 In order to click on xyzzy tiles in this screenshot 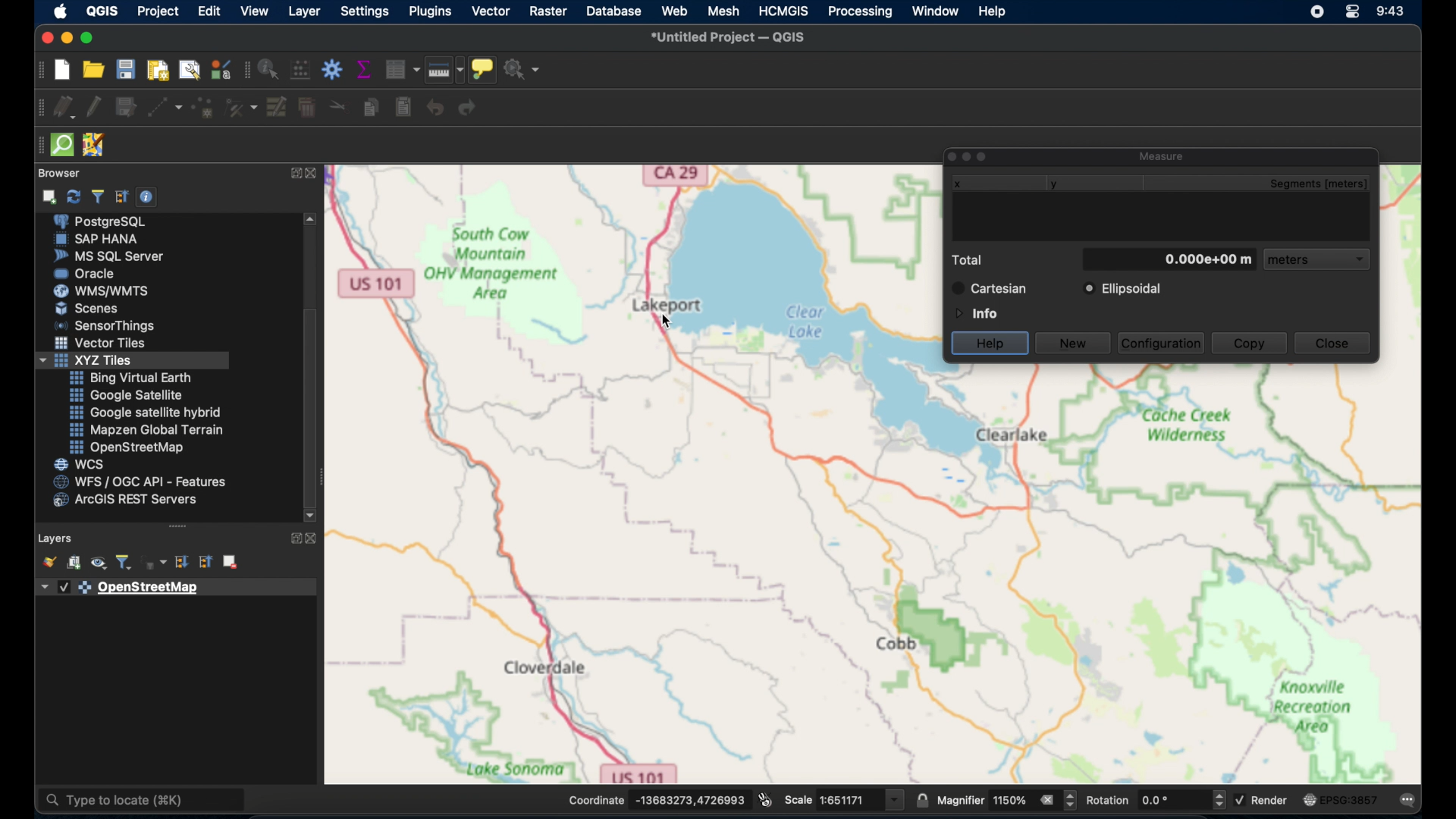, I will do `click(133, 361)`.